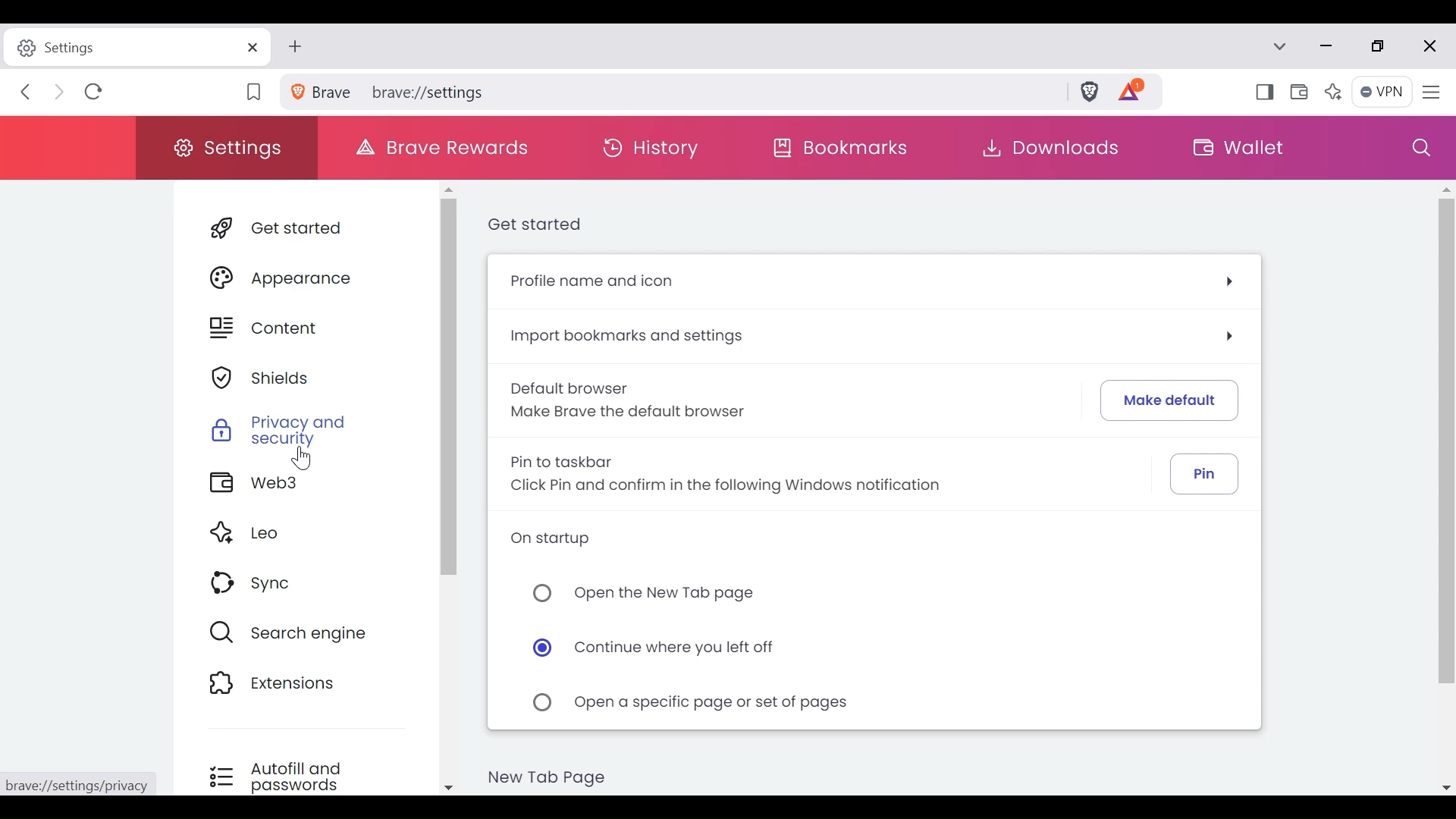 Image resolution: width=1456 pixels, height=819 pixels. Describe the element at coordinates (1329, 47) in the screenshot. I see `Minimize` at that location.